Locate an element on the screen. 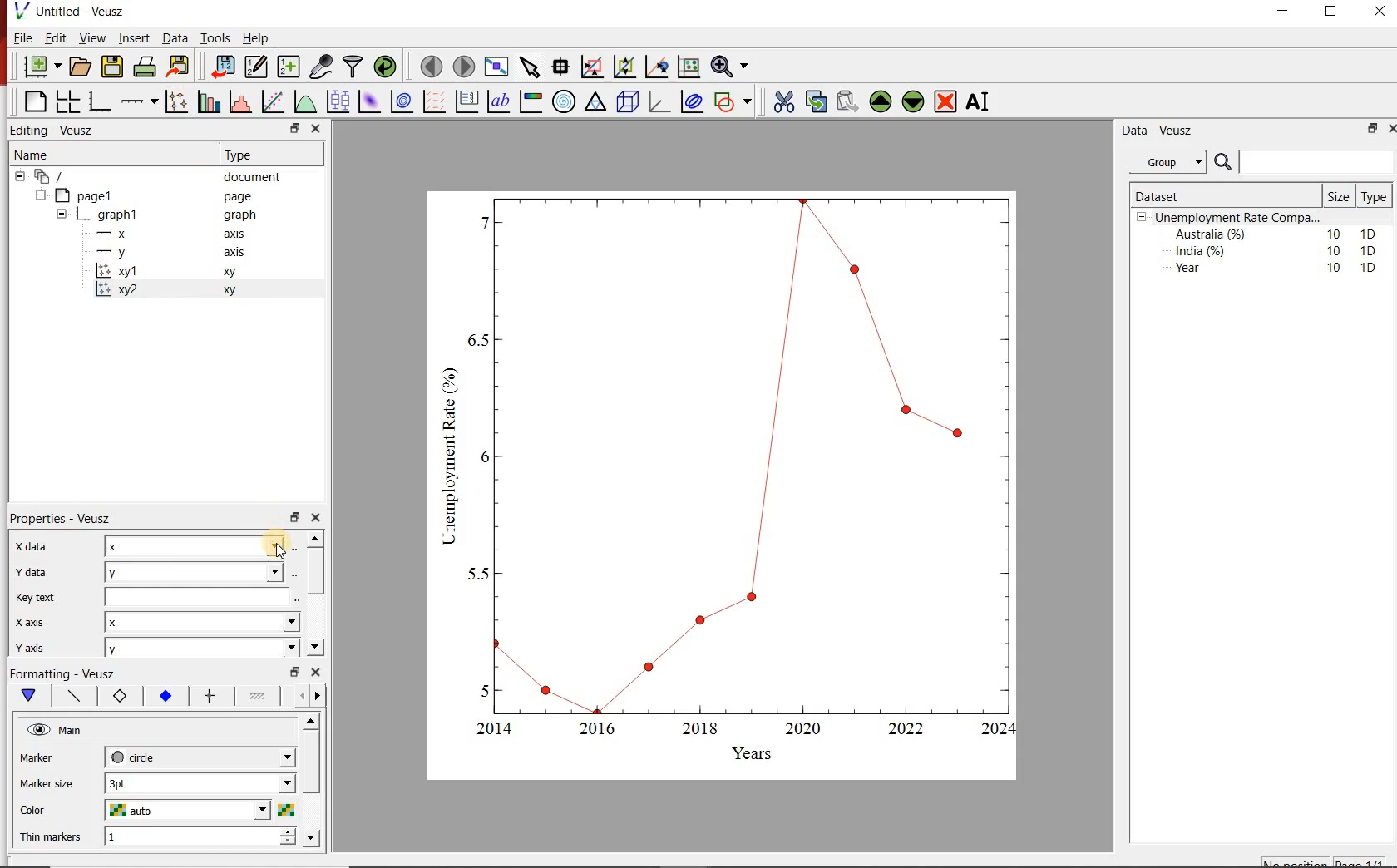  caputure remote data is located at coordinates (323, 66).